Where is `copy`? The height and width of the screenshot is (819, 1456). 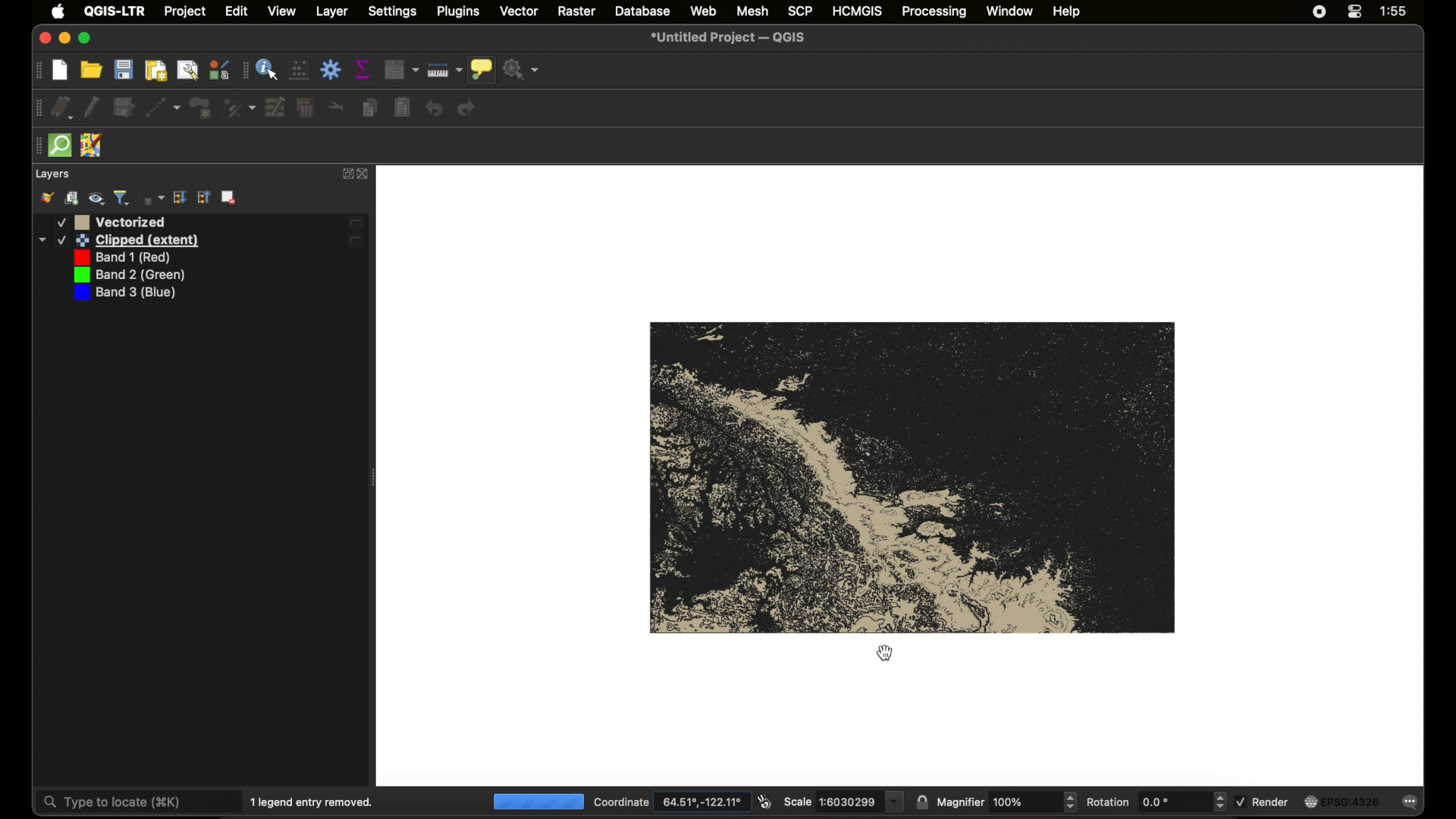
copy is located at coordinates (370, 108).